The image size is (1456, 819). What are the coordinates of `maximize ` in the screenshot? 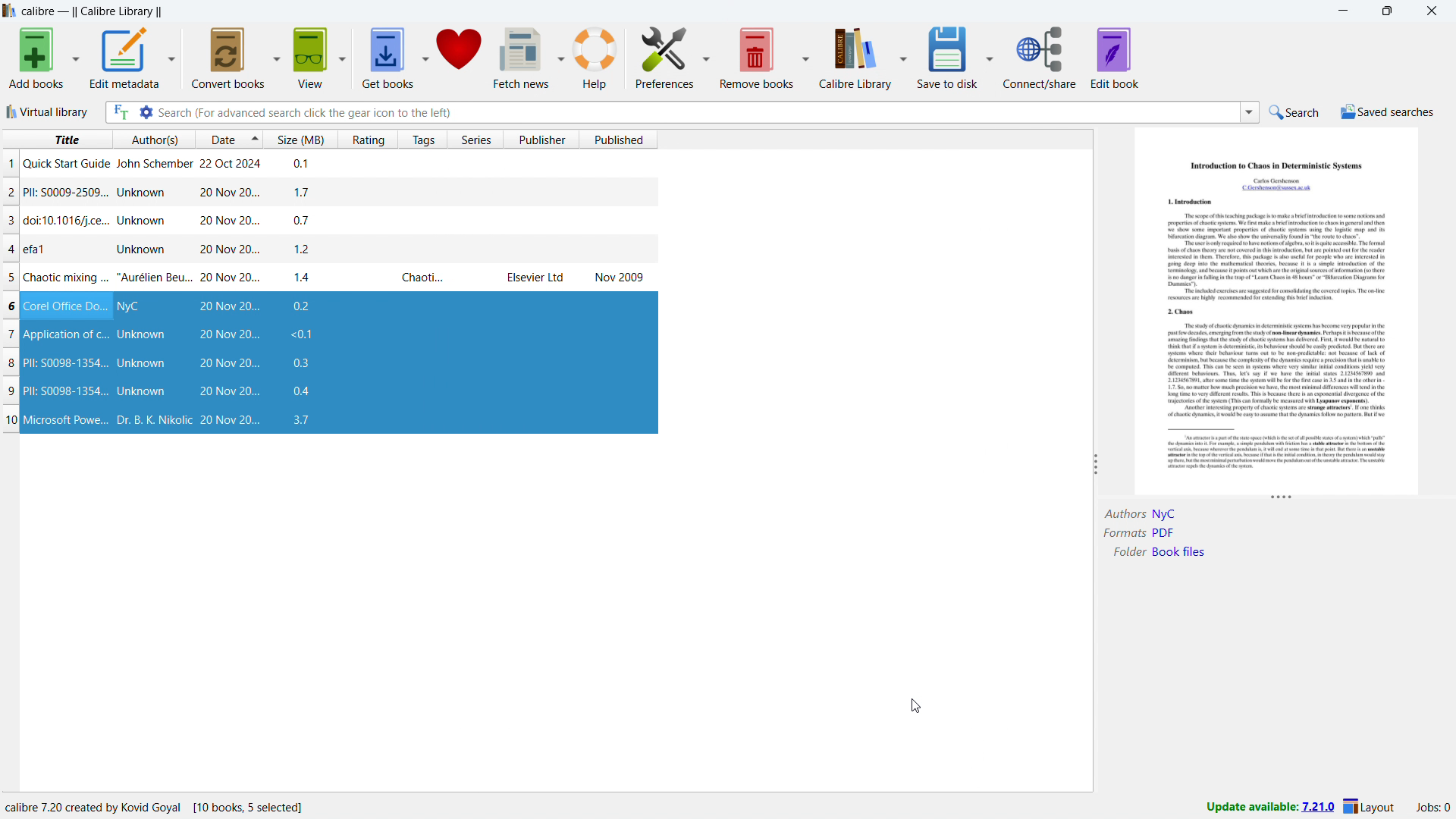 It's located at (1387, 11).